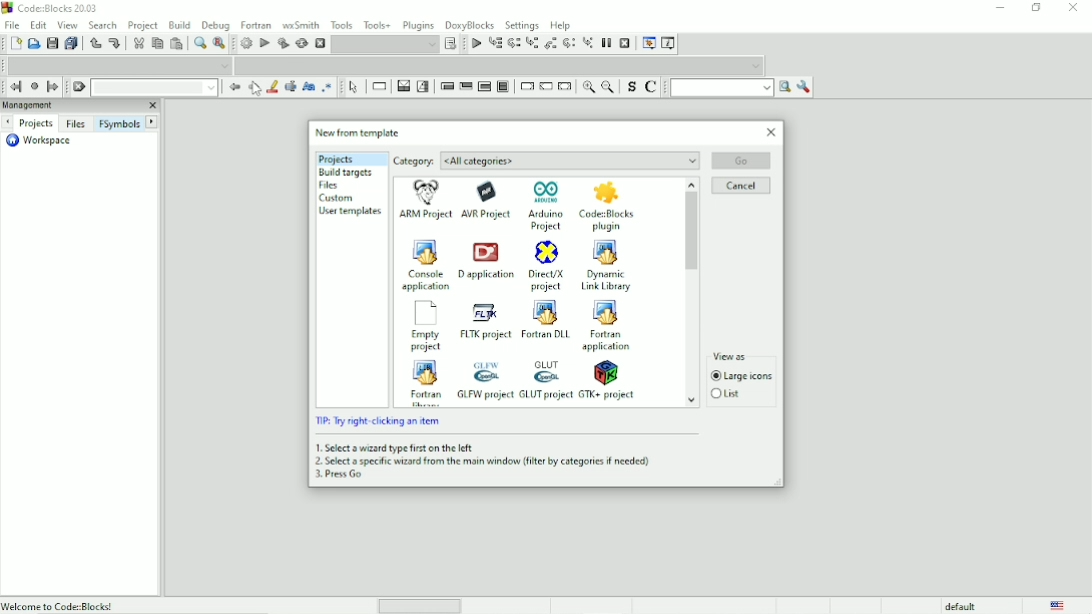 This screenshot has height=614, width=1092. What do you see at coordinates (452, 44) in the screenshot?
I see `Show the select target dialog` at bounding box center [452, 44].